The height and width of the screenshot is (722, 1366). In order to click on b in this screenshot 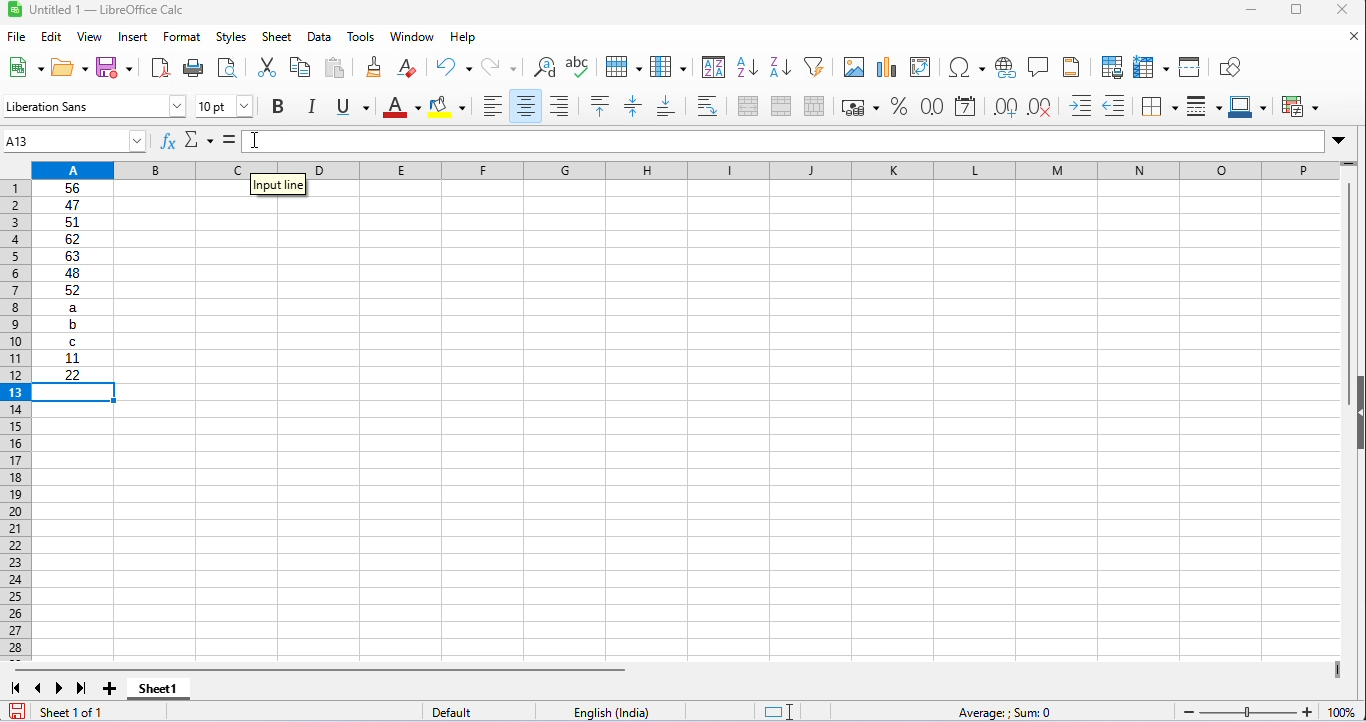, I will do `click(72, 325)`.